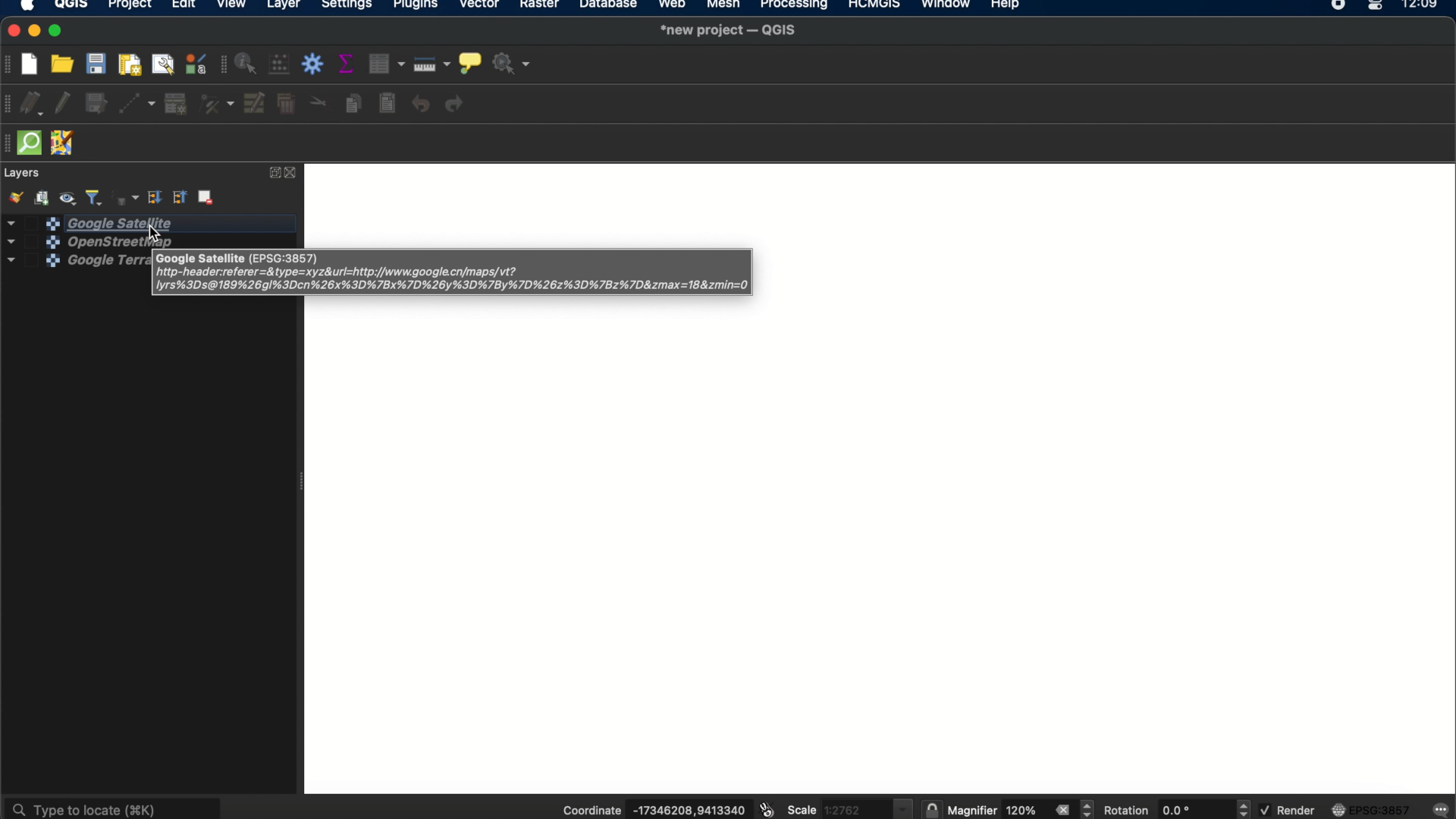 This screenshot has height=819, width=1456. Describe the element at coordinates (217, 105) in the screenshot. I see `vertex tool` at that location.